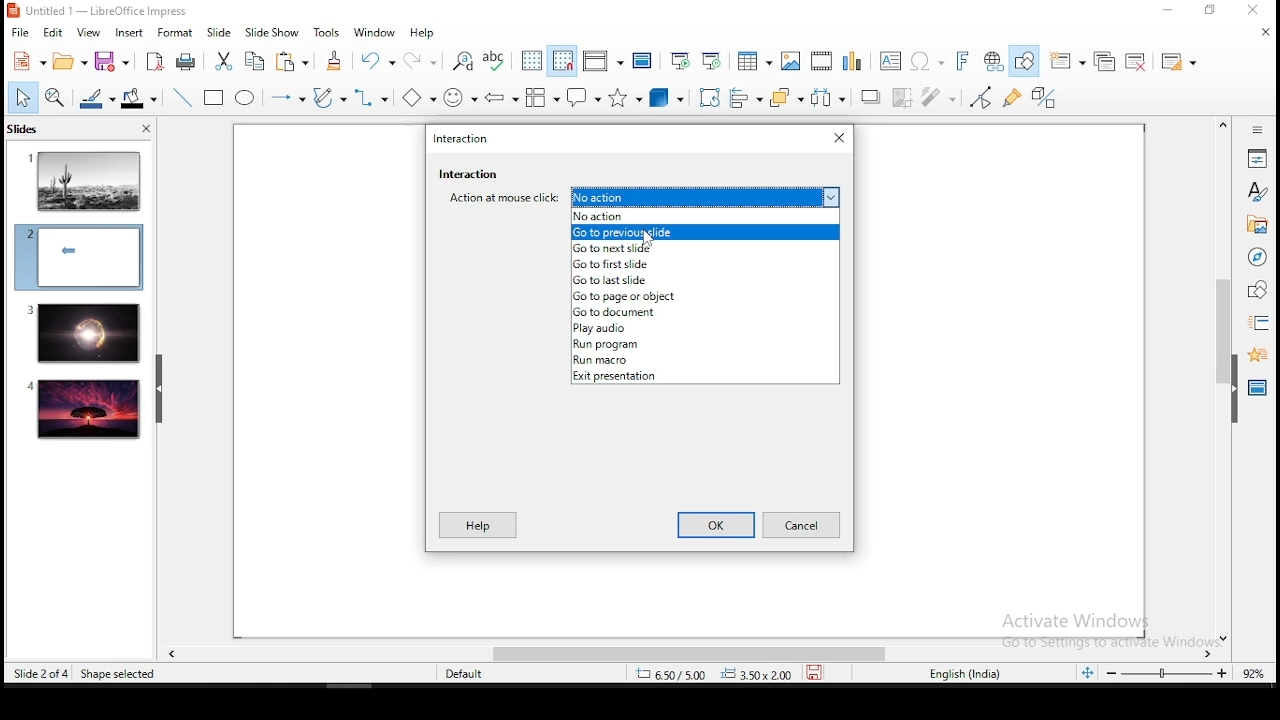 This screenshot has height=720, width=1280. Describe the element at coordinates (870, 95) in the screenshot. I see `shadow` at that location.